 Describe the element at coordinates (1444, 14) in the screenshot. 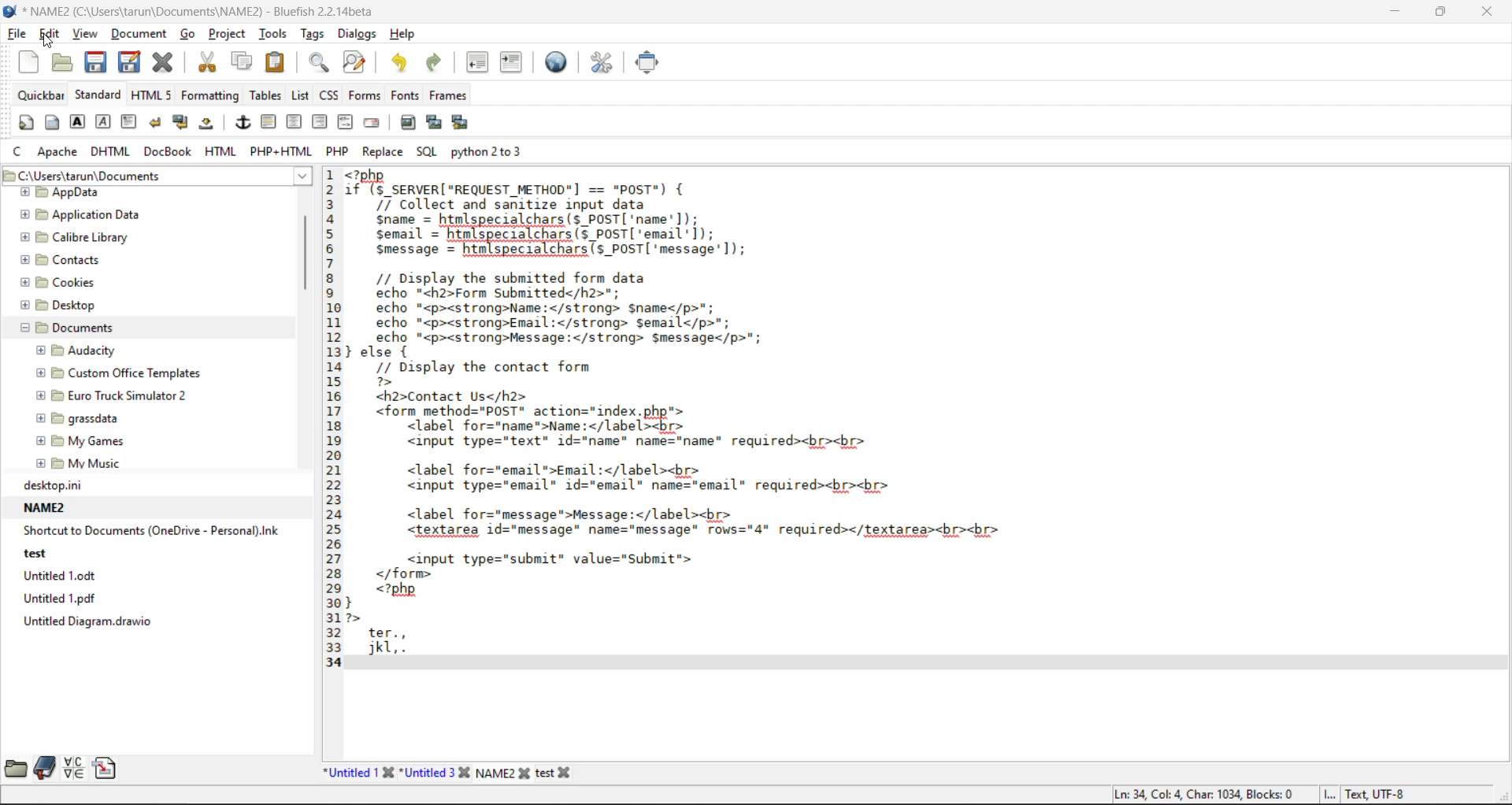

I see `restore down` at that location.